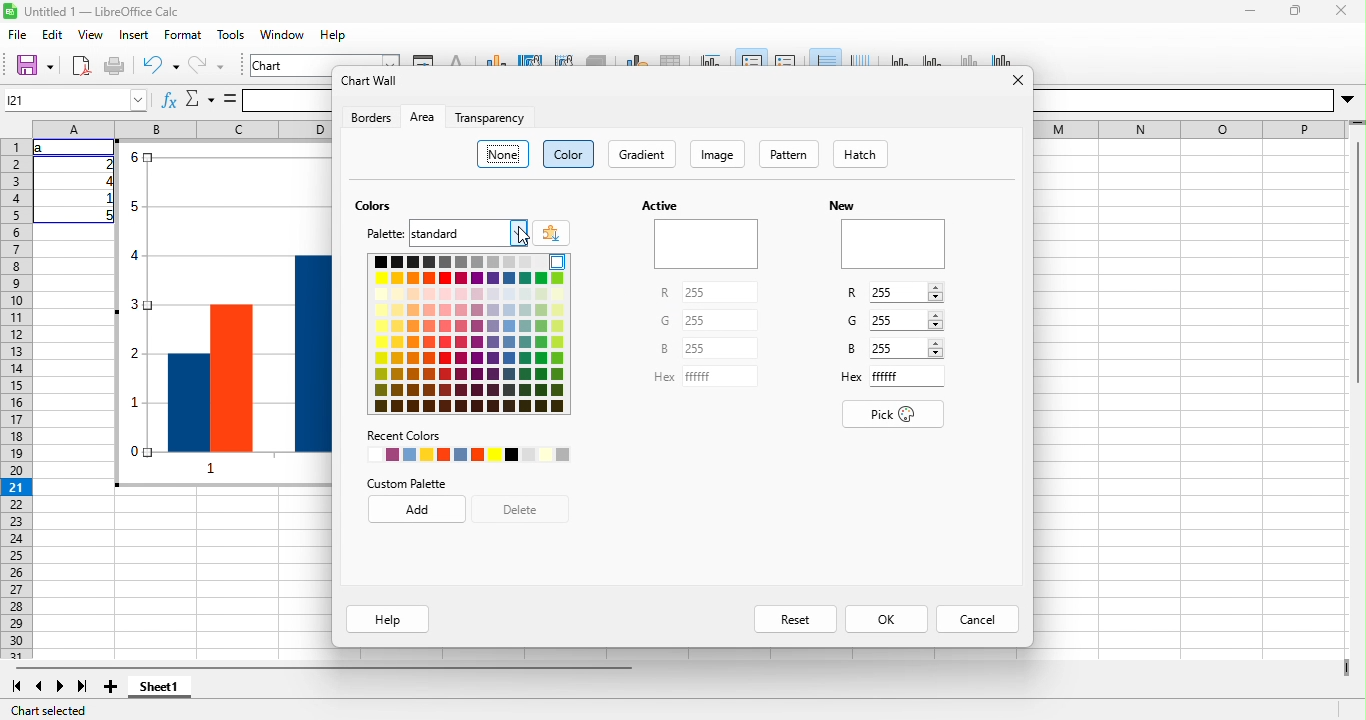 This screenshot has height=720, width=1366. I want to click on vertical grids, so click(860, 58).